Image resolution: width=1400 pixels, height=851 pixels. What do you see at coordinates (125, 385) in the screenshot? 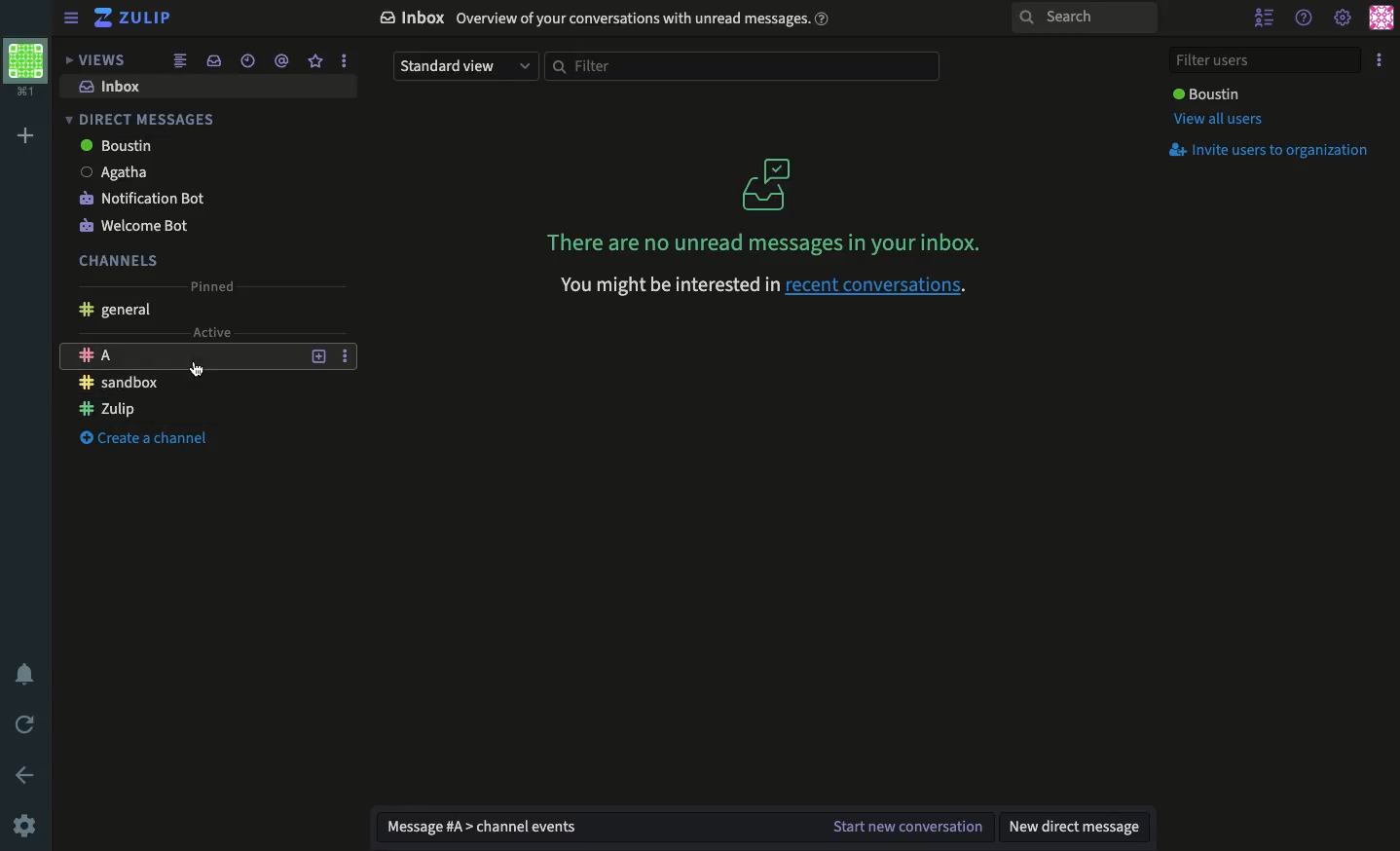
I see `Sandbox` at bounding box center [125, 385].